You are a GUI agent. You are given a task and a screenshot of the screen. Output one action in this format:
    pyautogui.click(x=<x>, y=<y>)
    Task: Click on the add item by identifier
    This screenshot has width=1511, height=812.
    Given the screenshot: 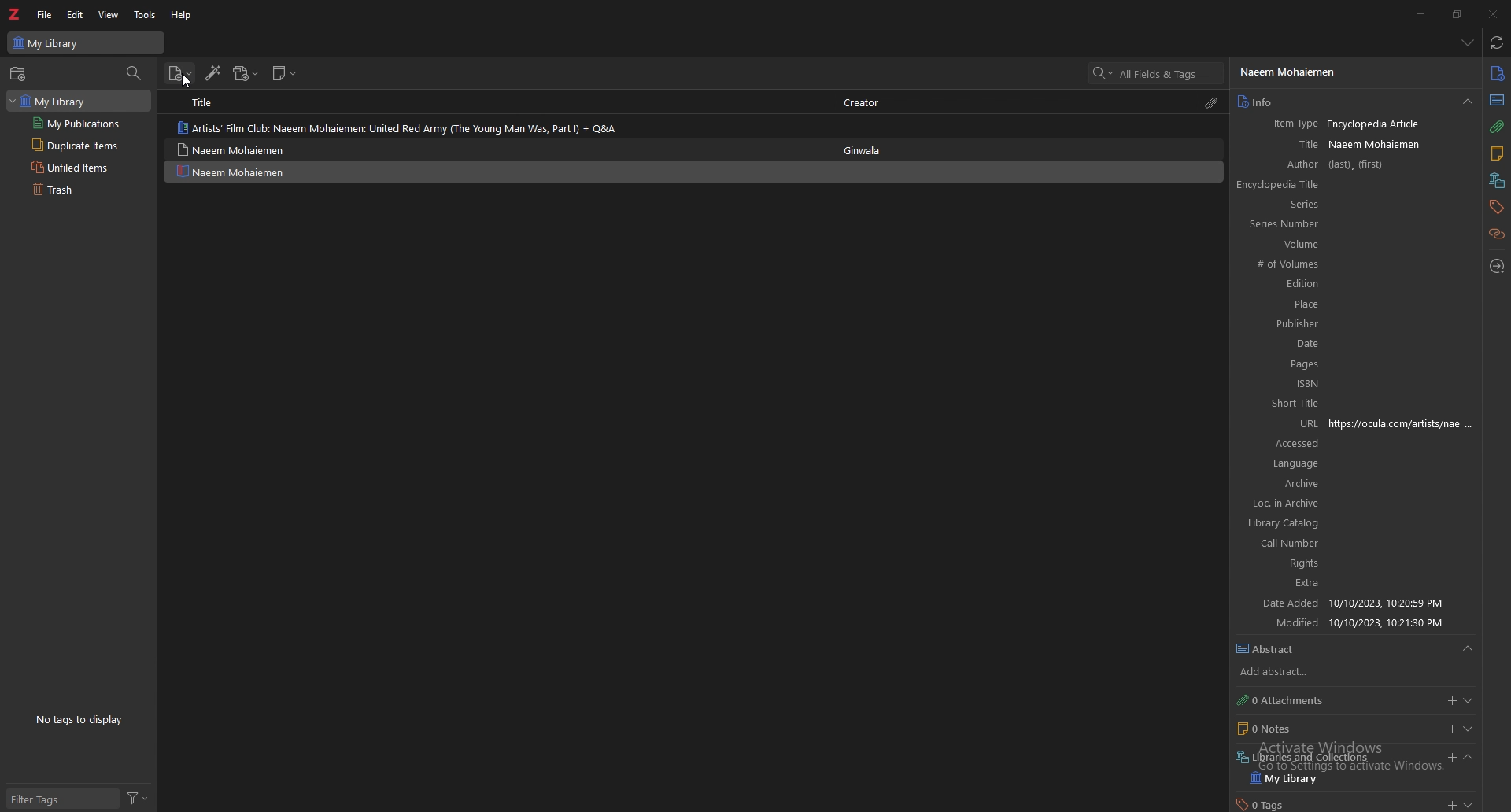 What is the action you would take?
    pyautogui.click(x=214, y=74)
    